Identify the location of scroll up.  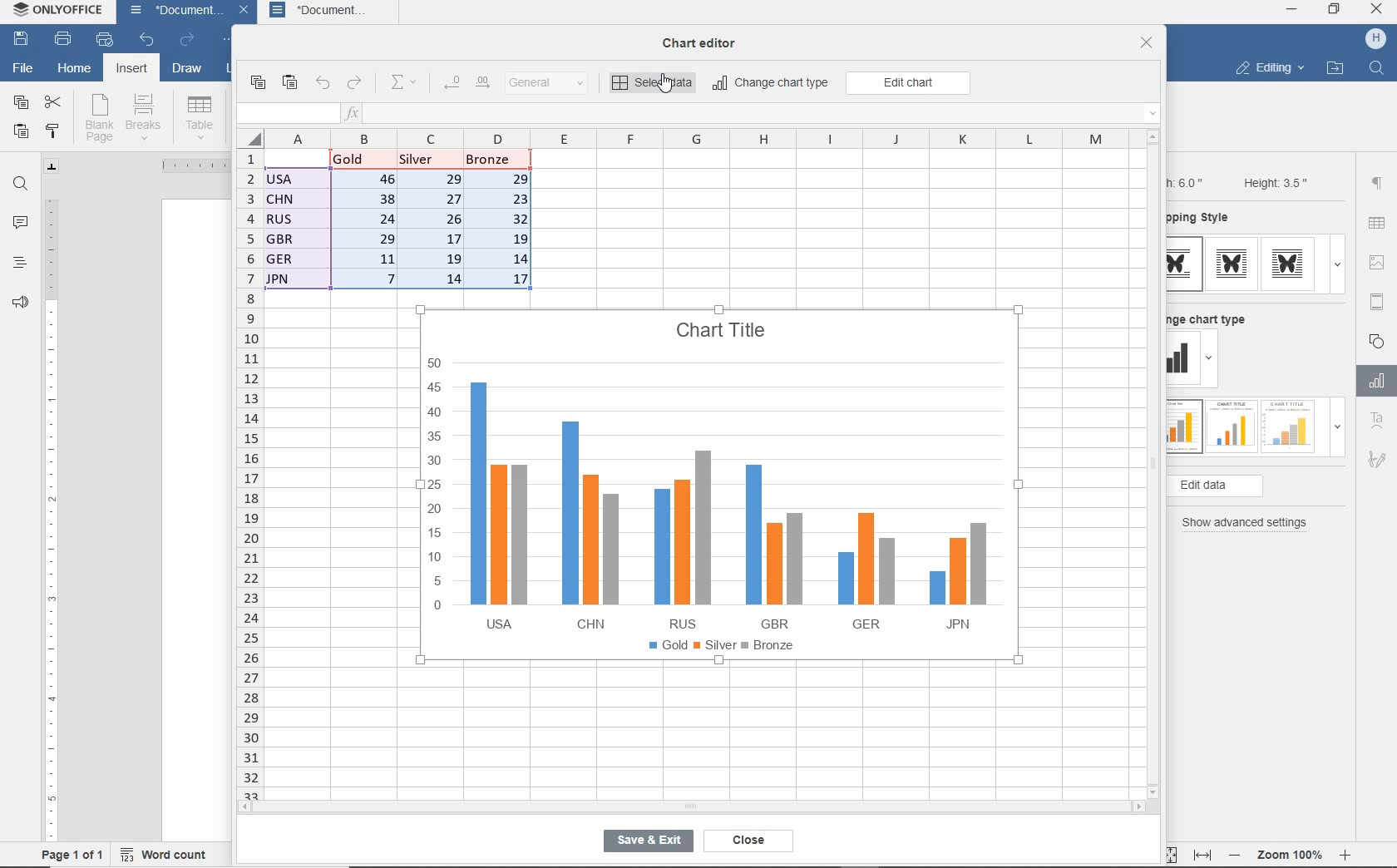
(1153, 136).